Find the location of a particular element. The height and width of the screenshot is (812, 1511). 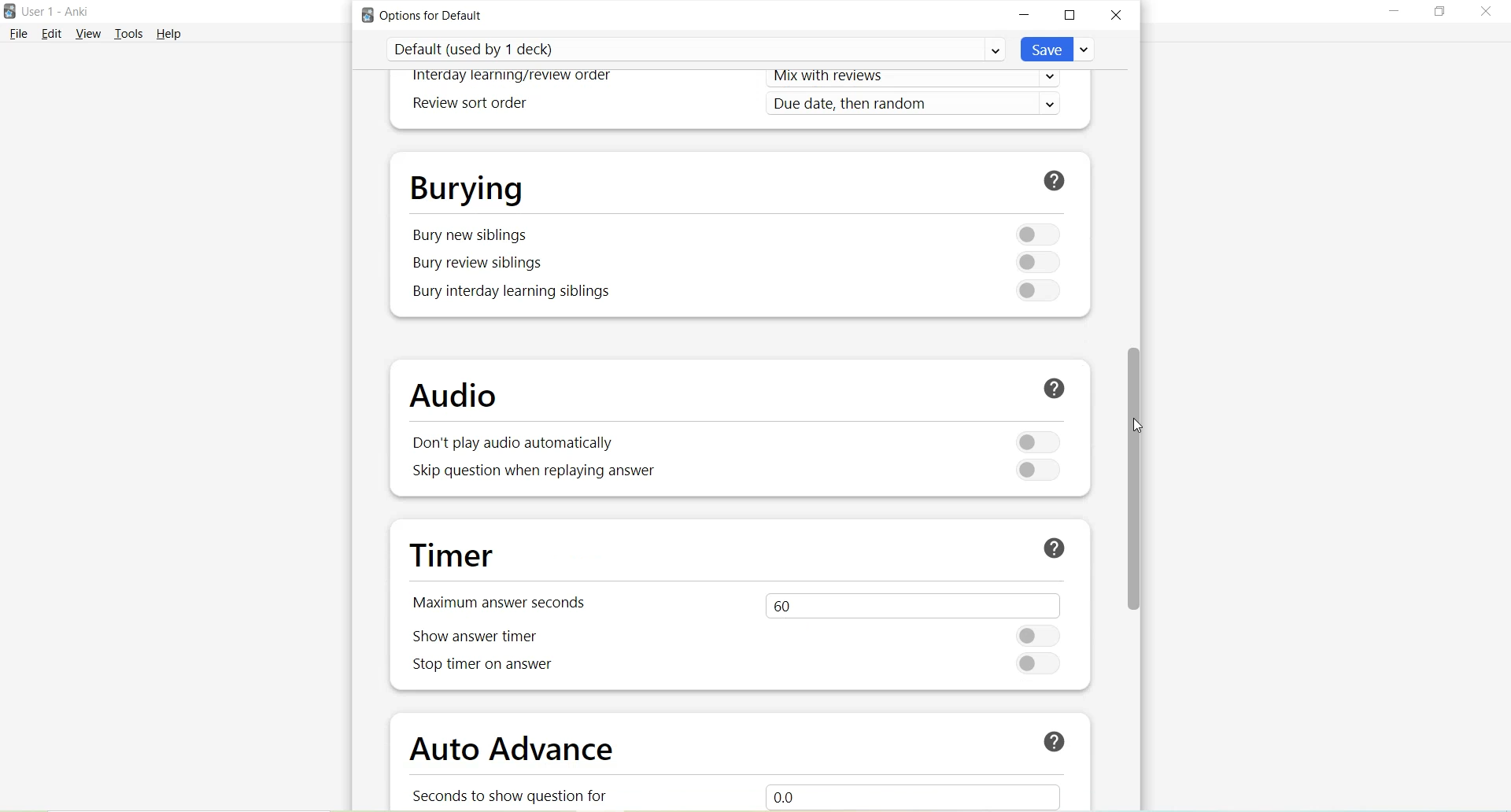

Due date, then random is located at coordinates (918, 105).